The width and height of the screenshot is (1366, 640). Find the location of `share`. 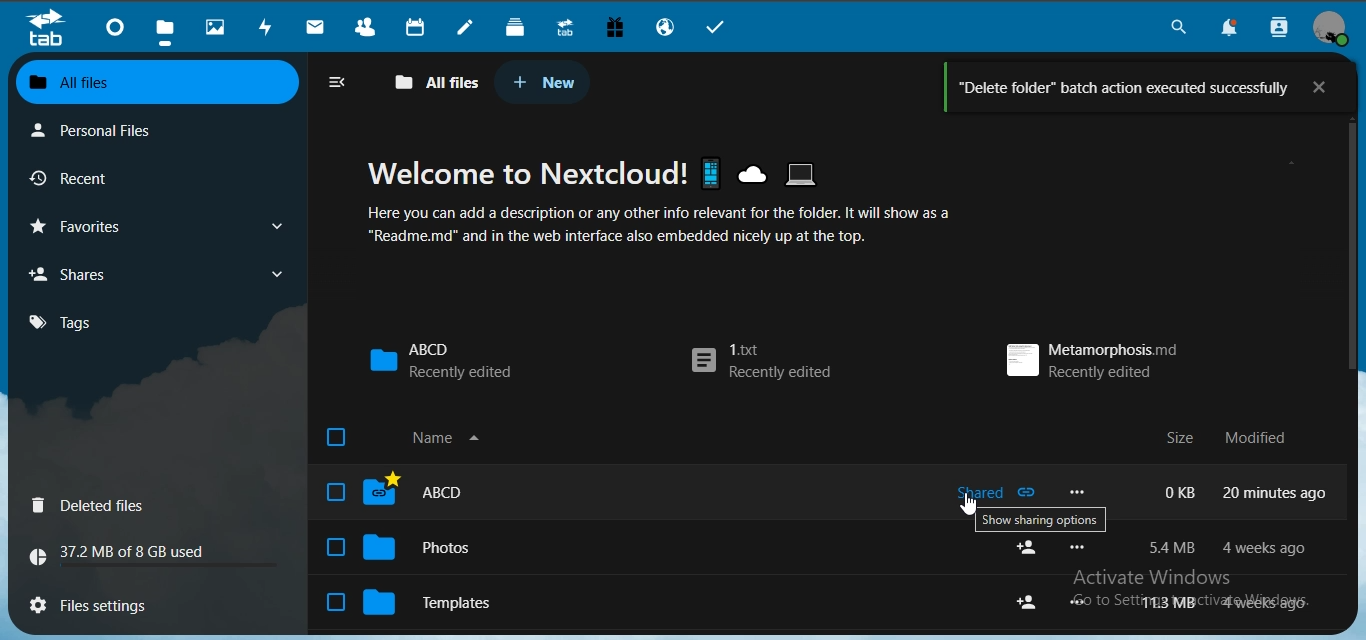

share is located at coordinates (1030, 550).